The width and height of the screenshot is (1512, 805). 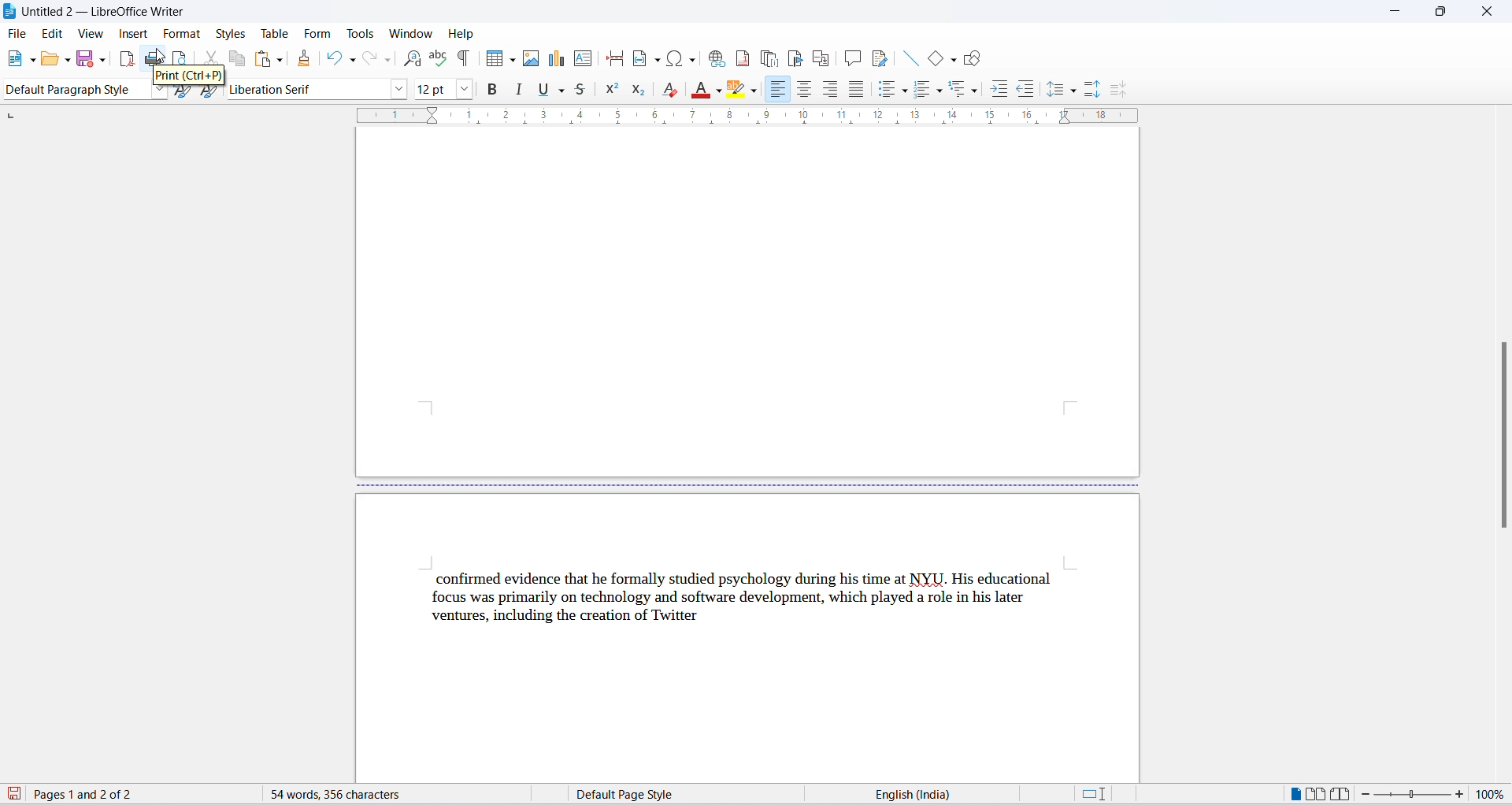 I want to click on font name options, so click(x=398, y=88).